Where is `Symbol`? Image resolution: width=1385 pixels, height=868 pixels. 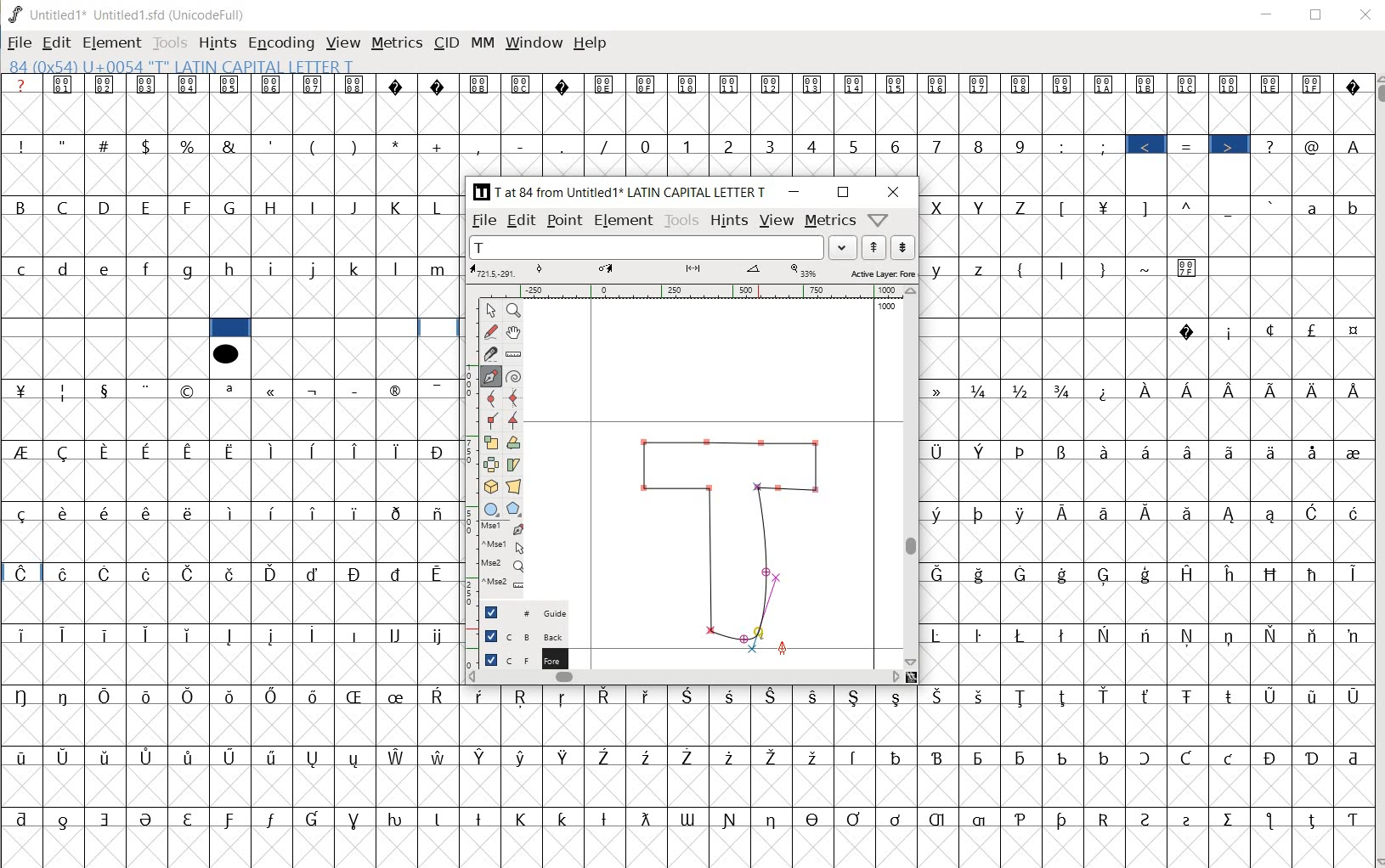 Symbol is located at coordinates (438, 389).